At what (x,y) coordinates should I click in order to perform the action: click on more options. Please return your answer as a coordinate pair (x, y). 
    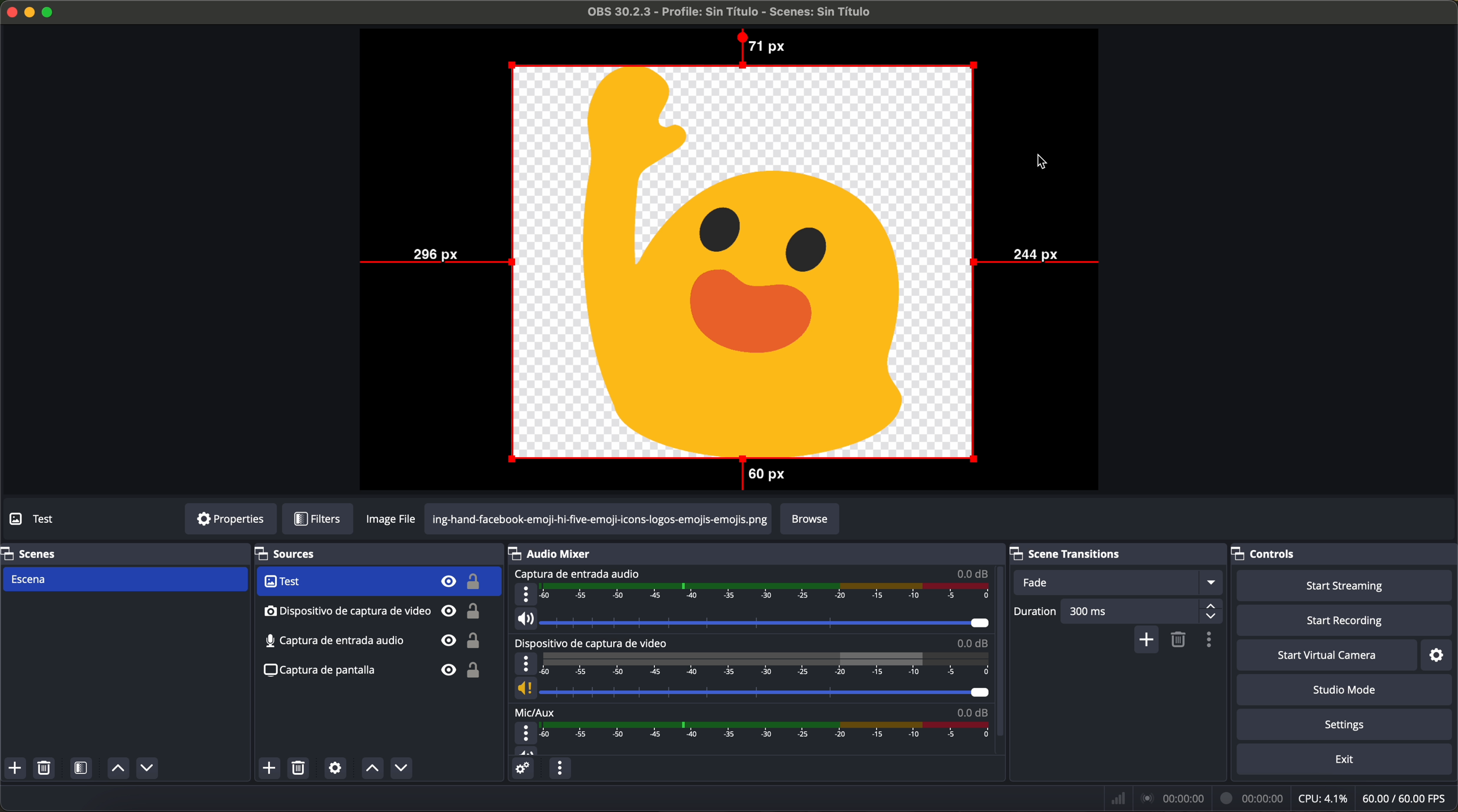
    Looking at the image, I should click on (526, 594).